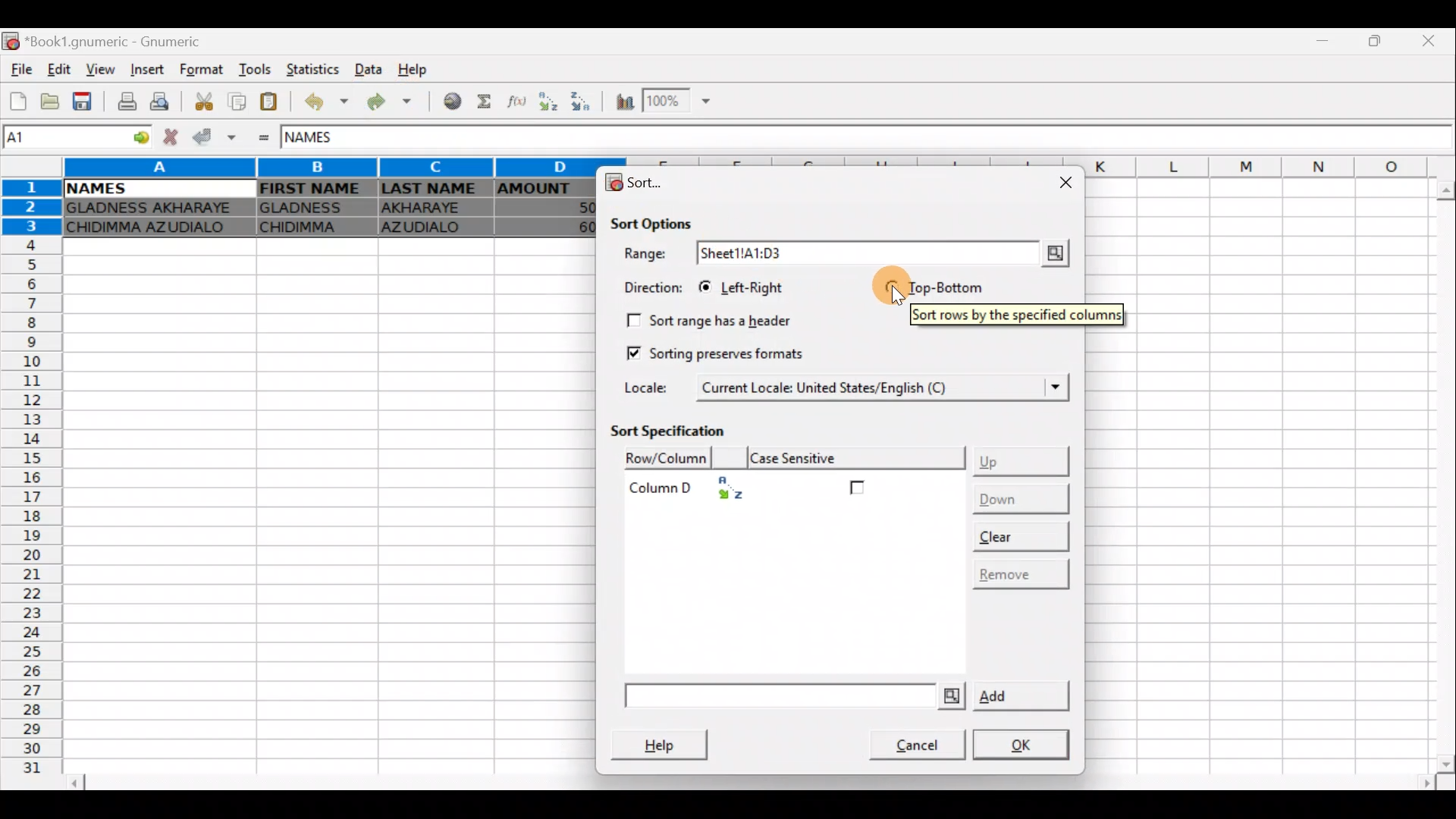 The image size is (1456, 819). I want to click on GLADNESS, so click(313, 206).